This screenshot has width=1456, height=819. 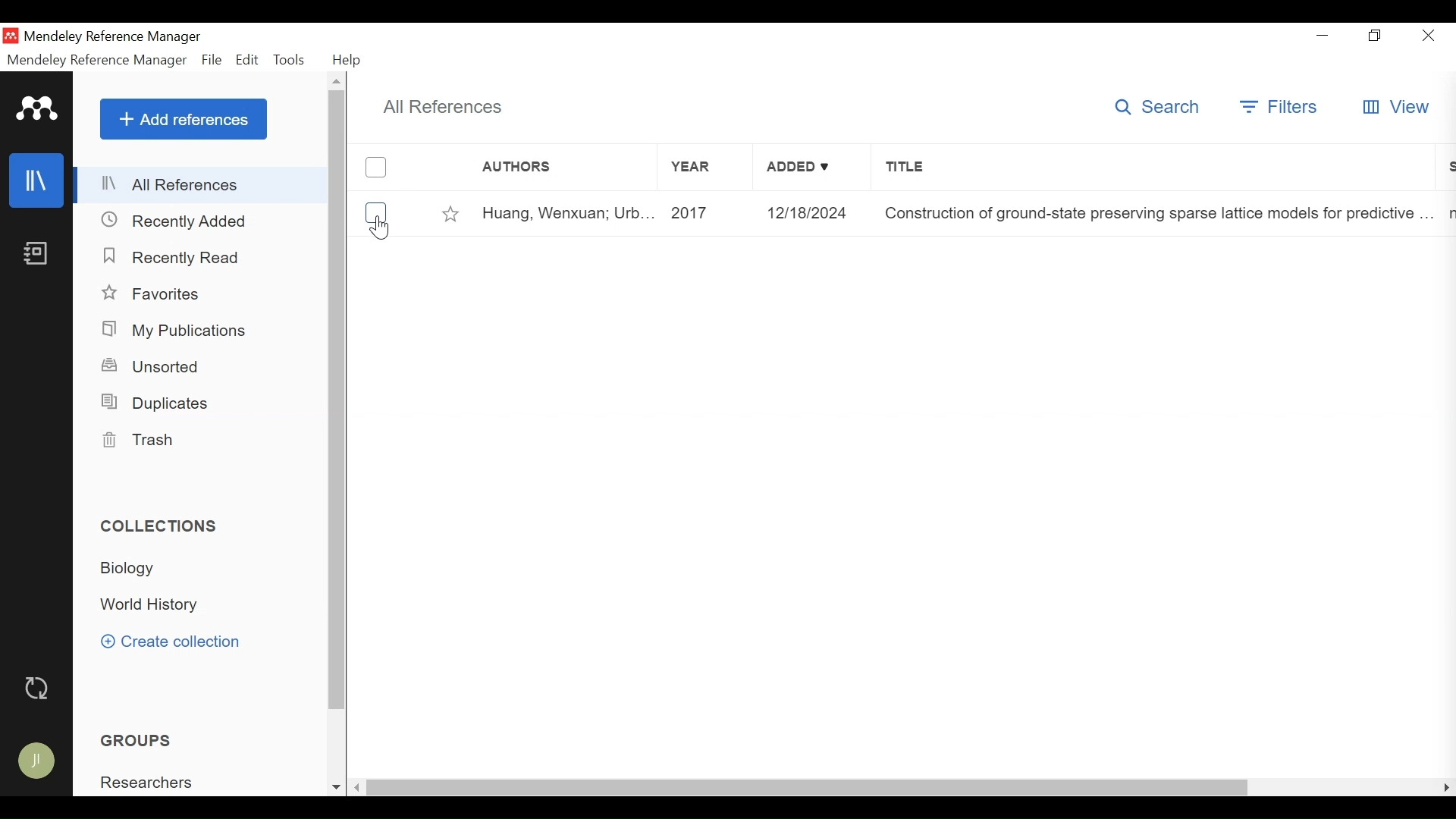 I want to click on My Publications, so click(x=178, y=331).